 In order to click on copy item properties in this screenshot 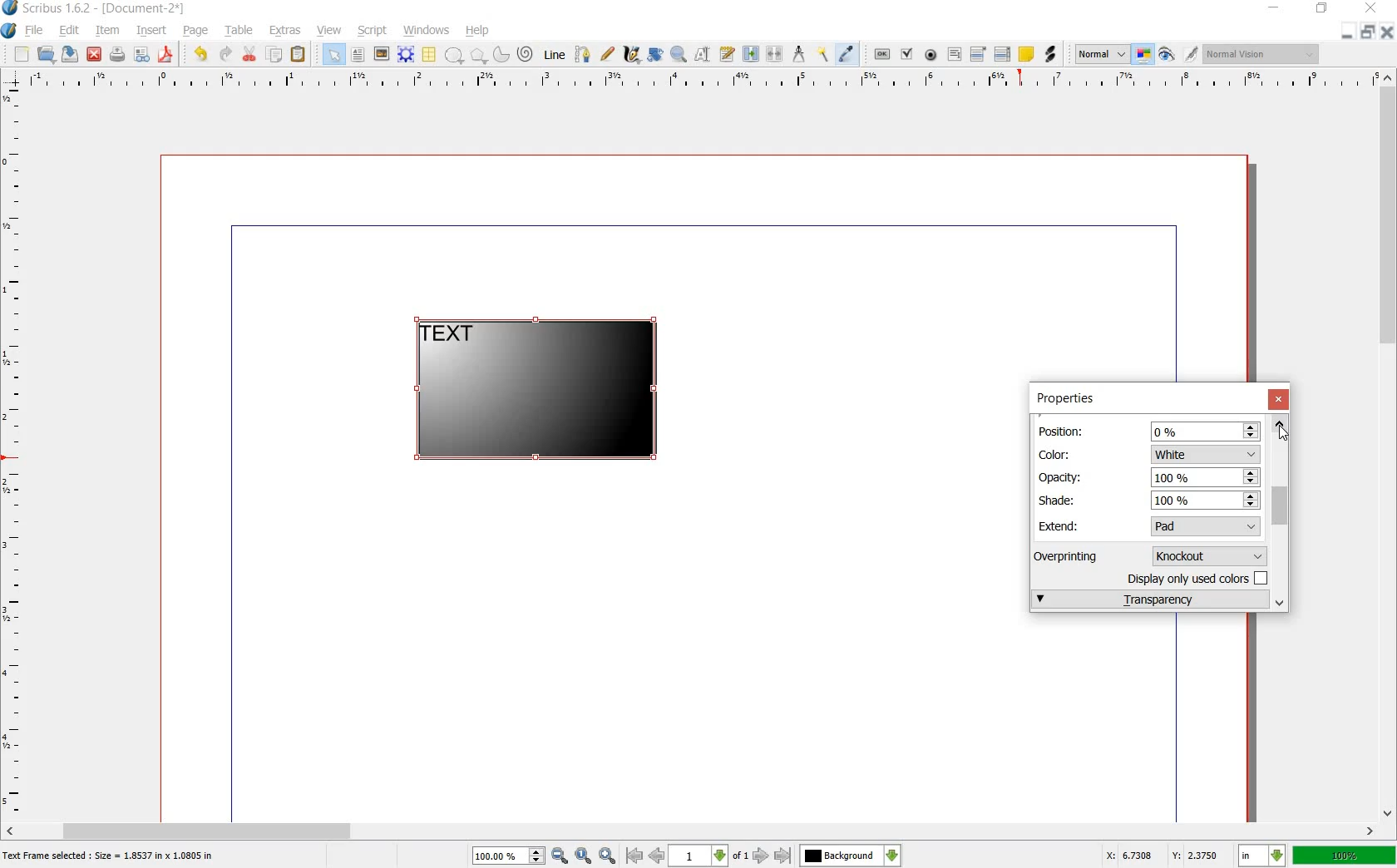, I will do `click(824, 53)`.